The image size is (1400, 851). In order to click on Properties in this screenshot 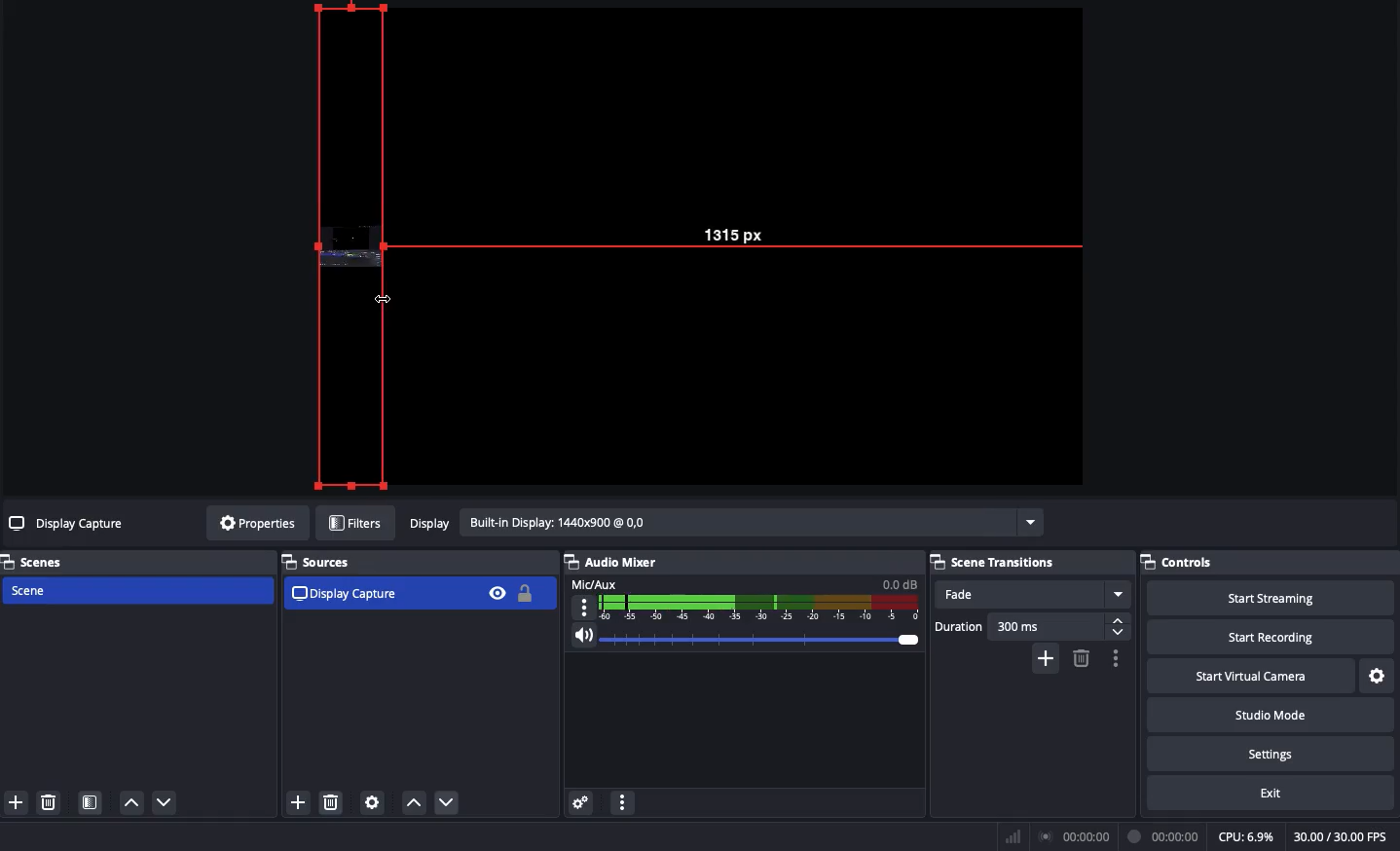, I will do `click(254, 523)`.